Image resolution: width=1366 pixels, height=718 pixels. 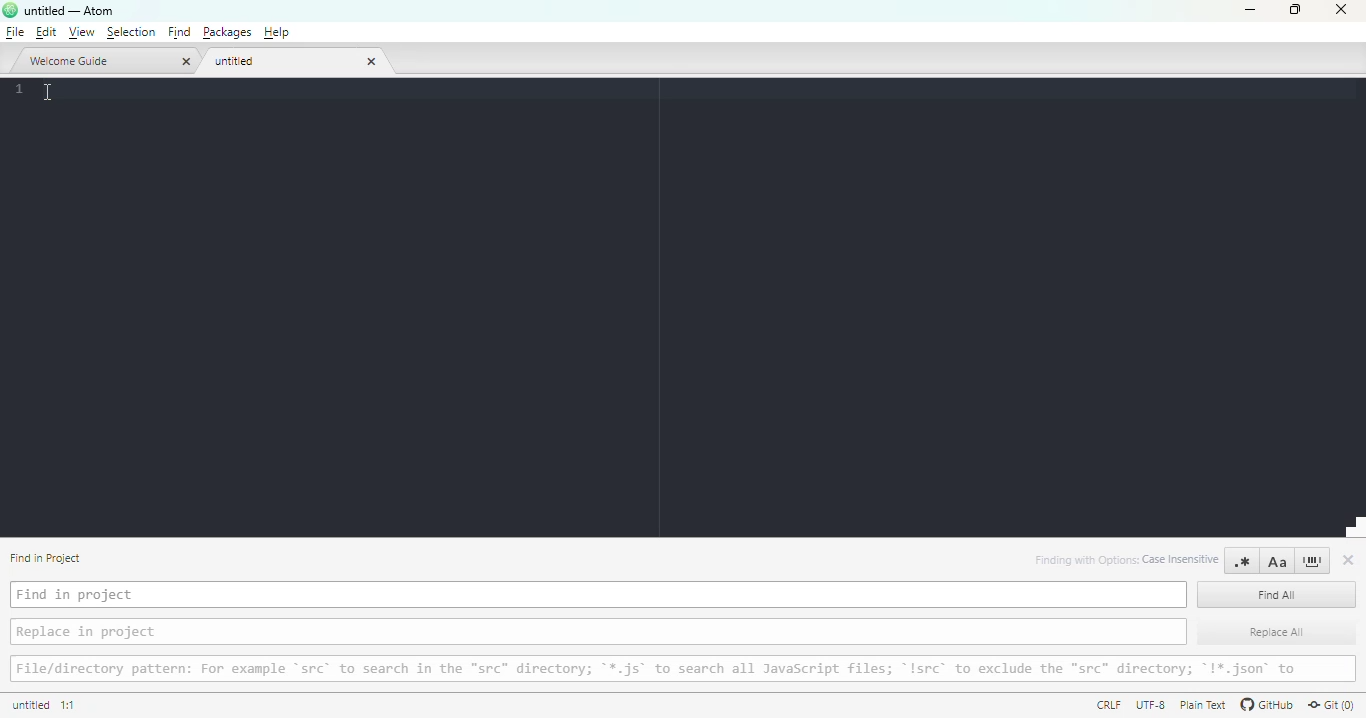 What do you see at coordinates (1266, 705) in the screenshot?
I see `GitHub` at bounding box center [1266, 705].